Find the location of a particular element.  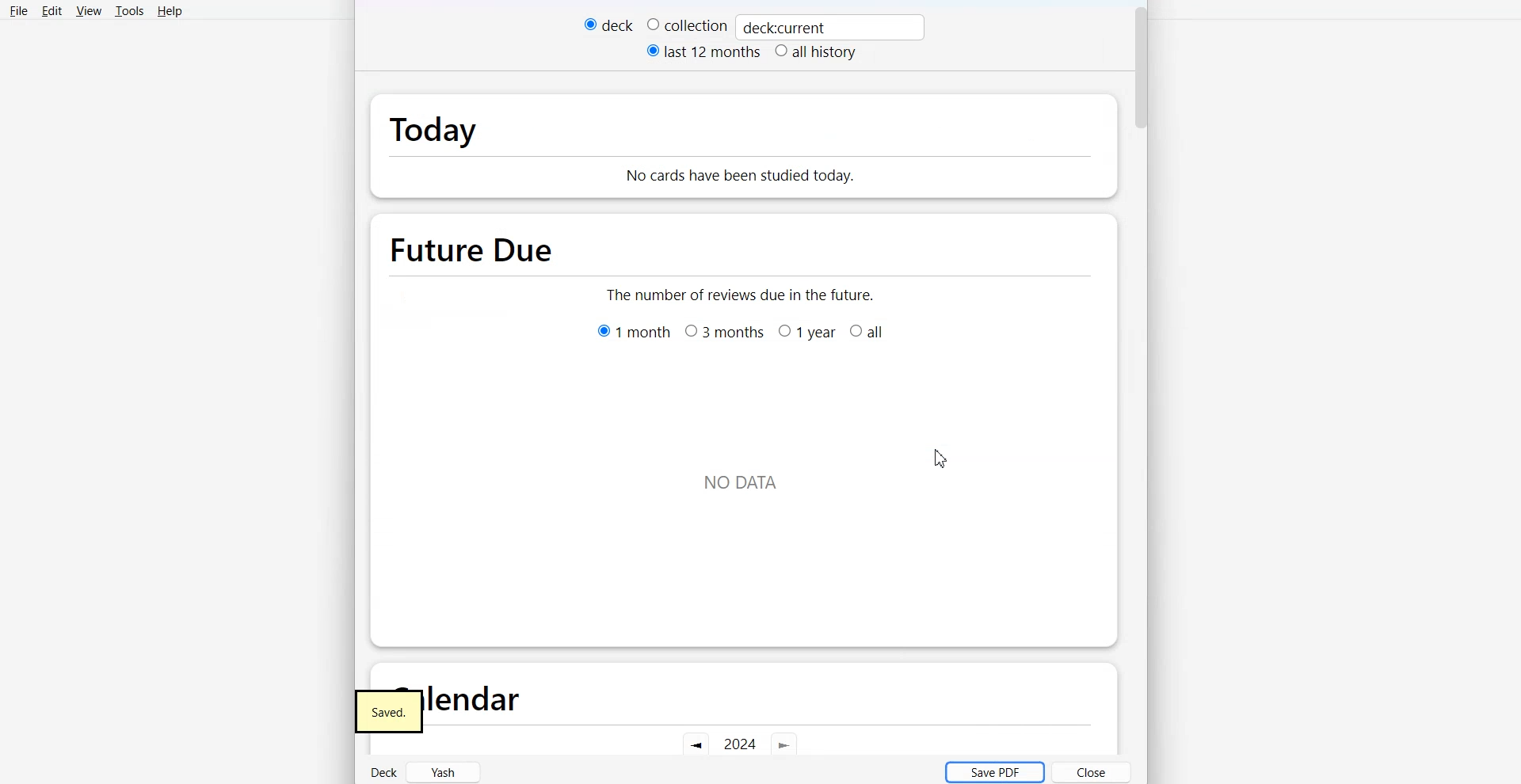

File is located at coordinates (17, 11).